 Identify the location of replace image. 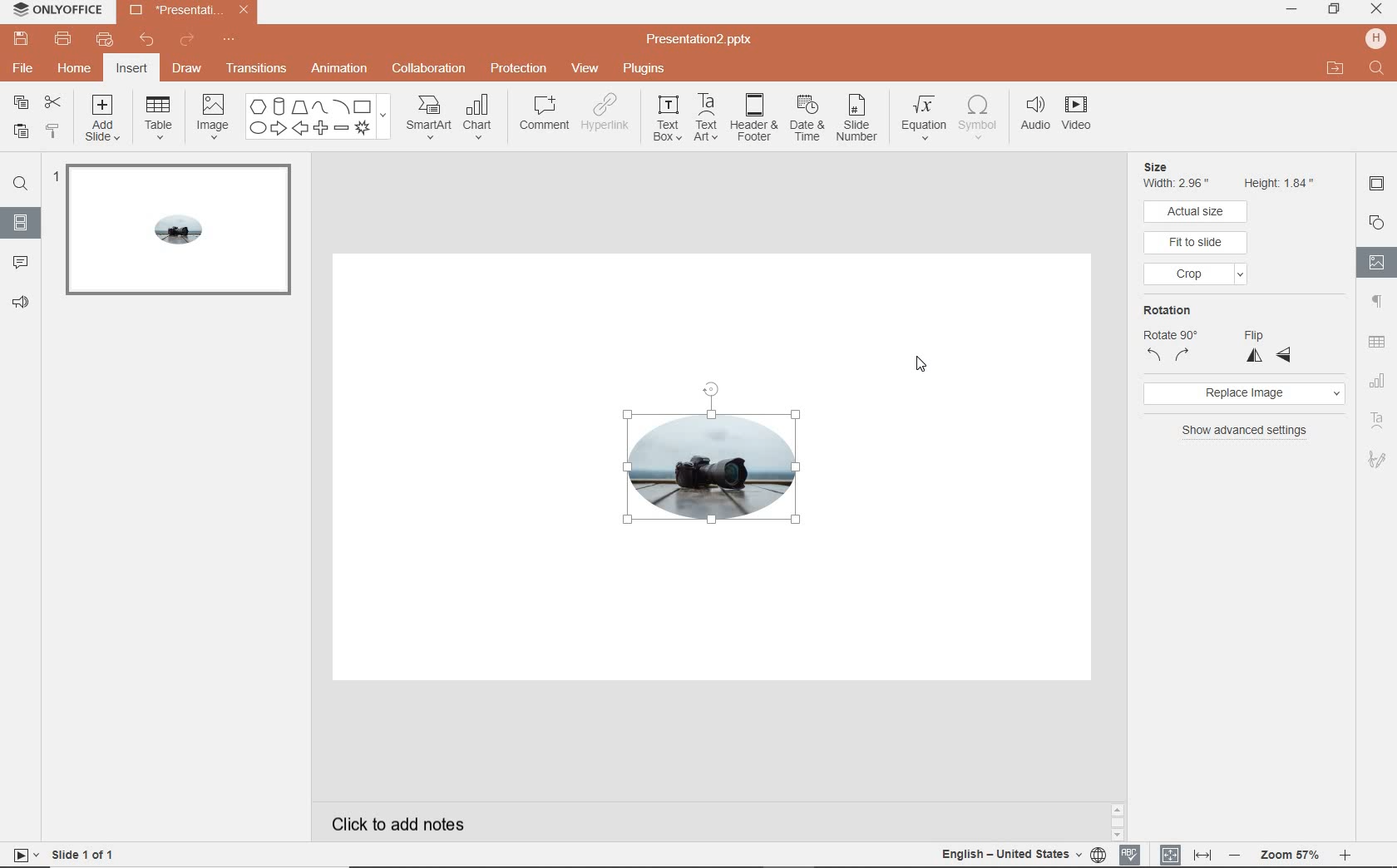
(1246, 393).